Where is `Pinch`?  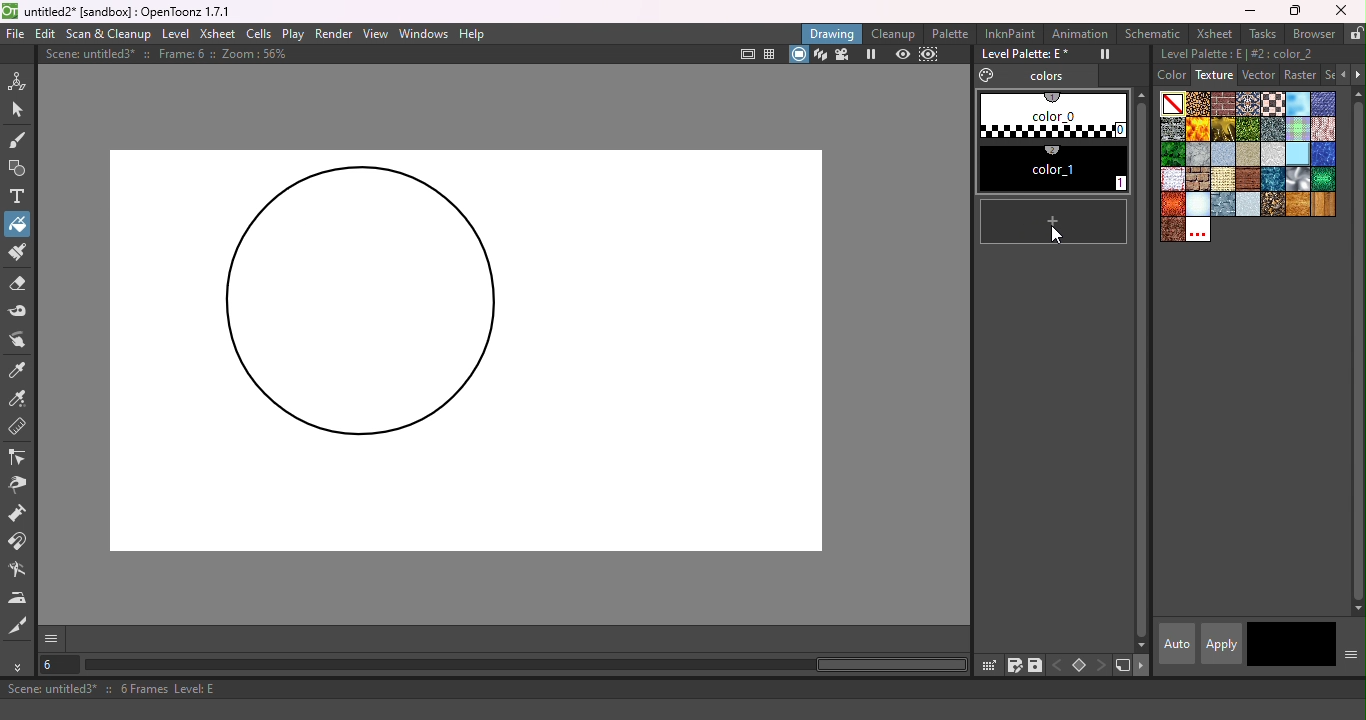 Pinch is located at coordinates (19, 487).